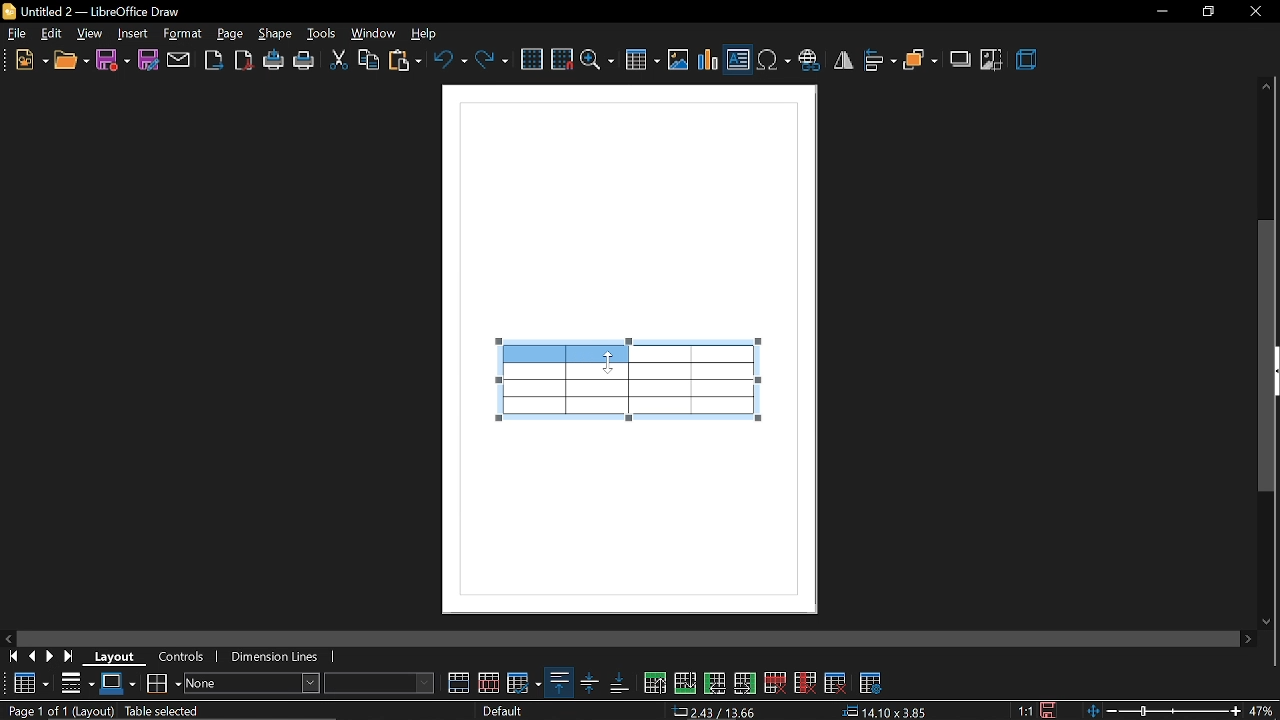 This screenshot has width=1280, height=720. Describe the element at coordinates (775, 682) in the screenshot. I see `delete row` at that location.